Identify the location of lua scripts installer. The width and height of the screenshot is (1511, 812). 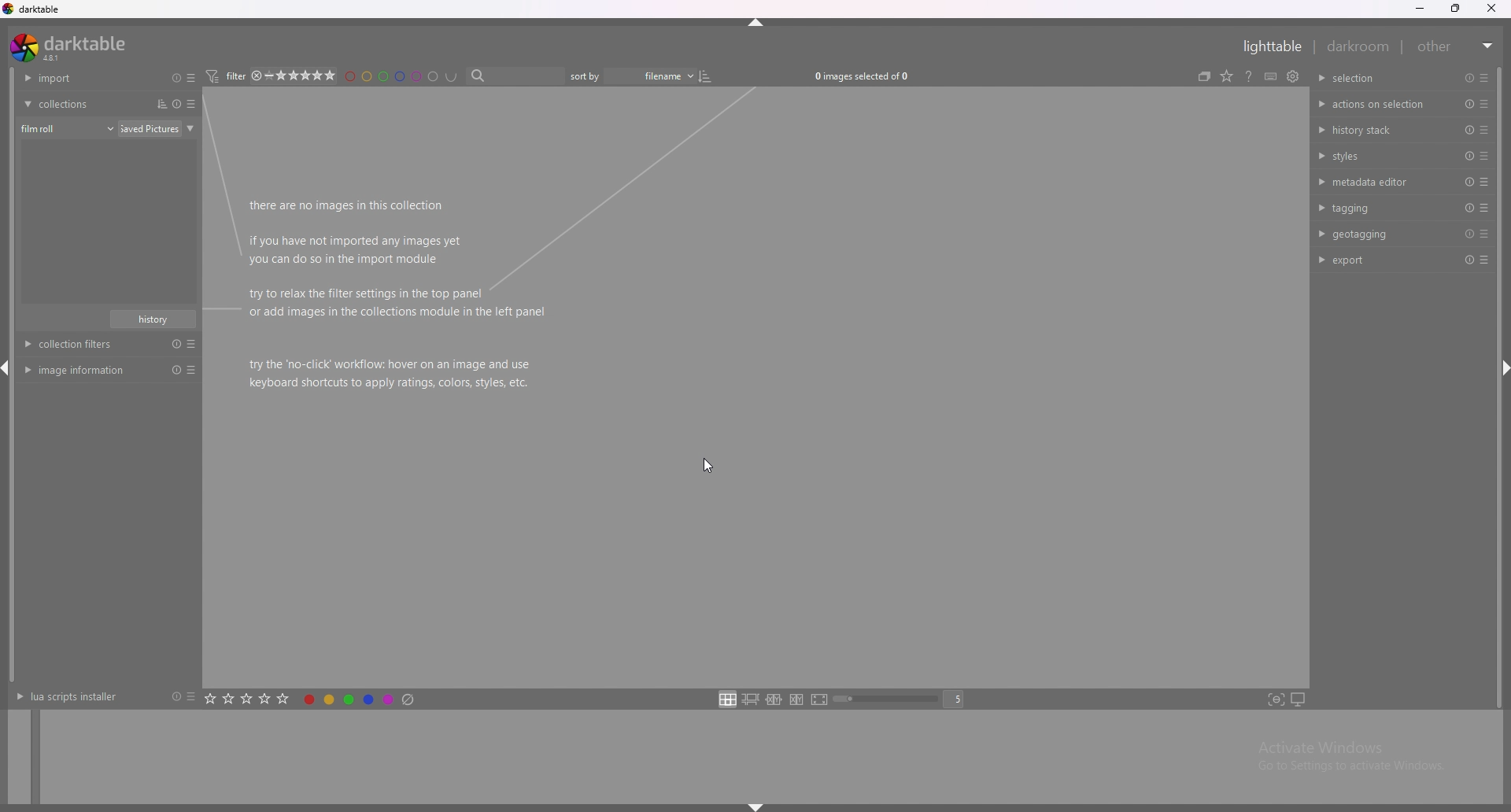
(65, 696).